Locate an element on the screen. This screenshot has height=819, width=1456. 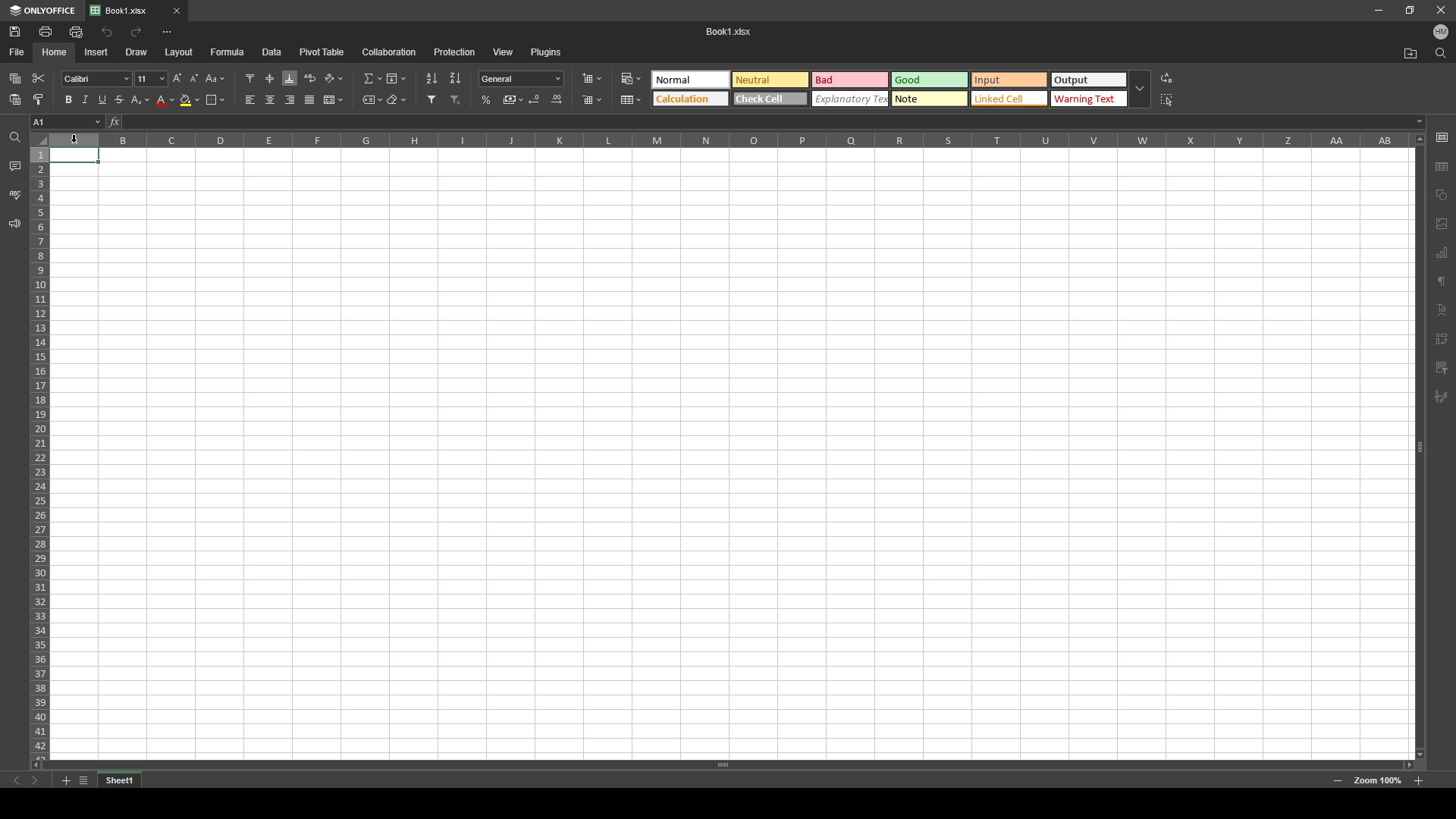
insert cells is located at coordinates (591, 79).